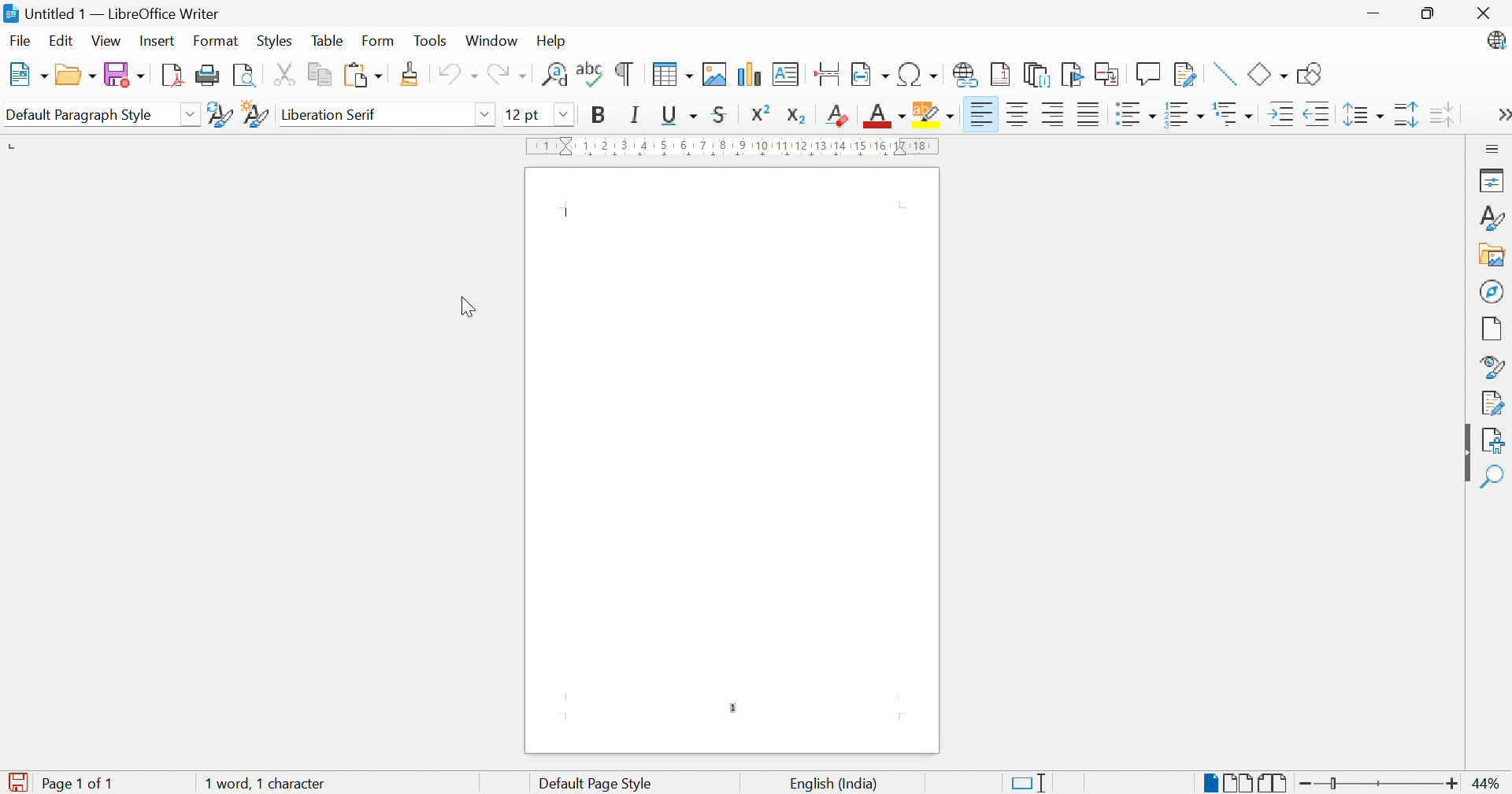 This screenshot has width=1512, height=794. I want to click on Decrease paragraph spacing, so click(1441, 113).